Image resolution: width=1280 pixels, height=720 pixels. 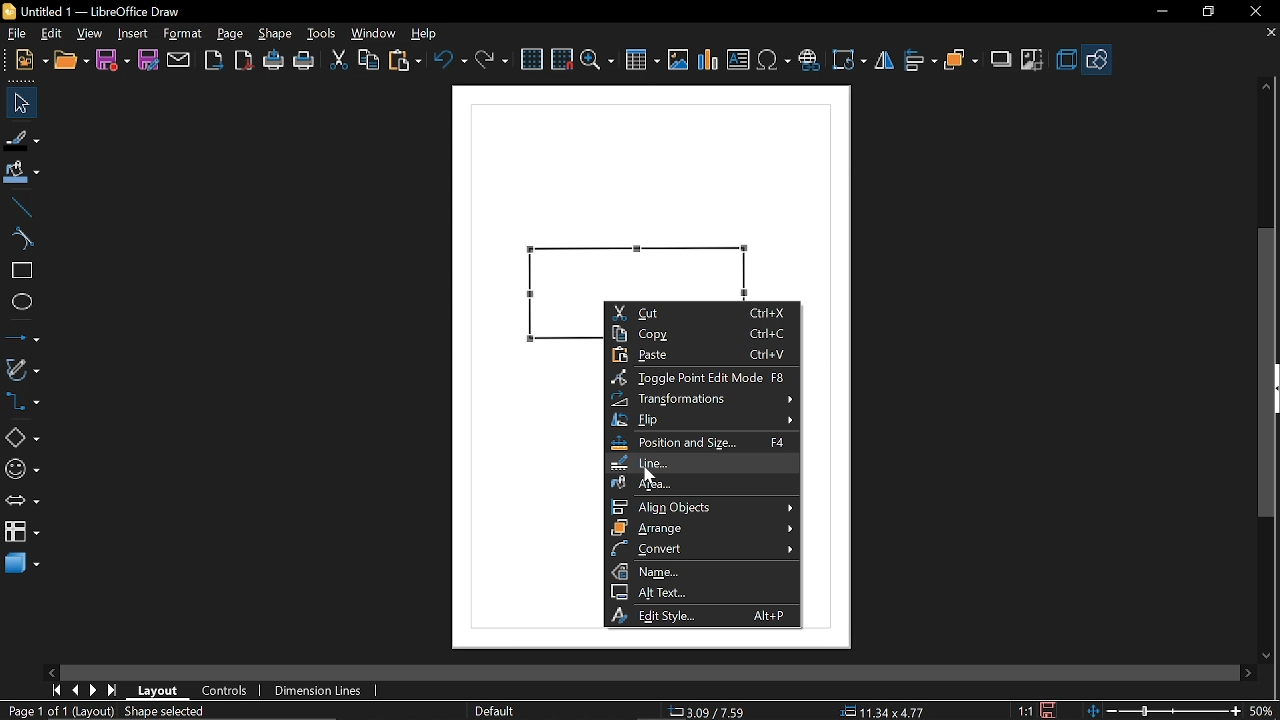 I want to click on name, so click(x=700, y=572).